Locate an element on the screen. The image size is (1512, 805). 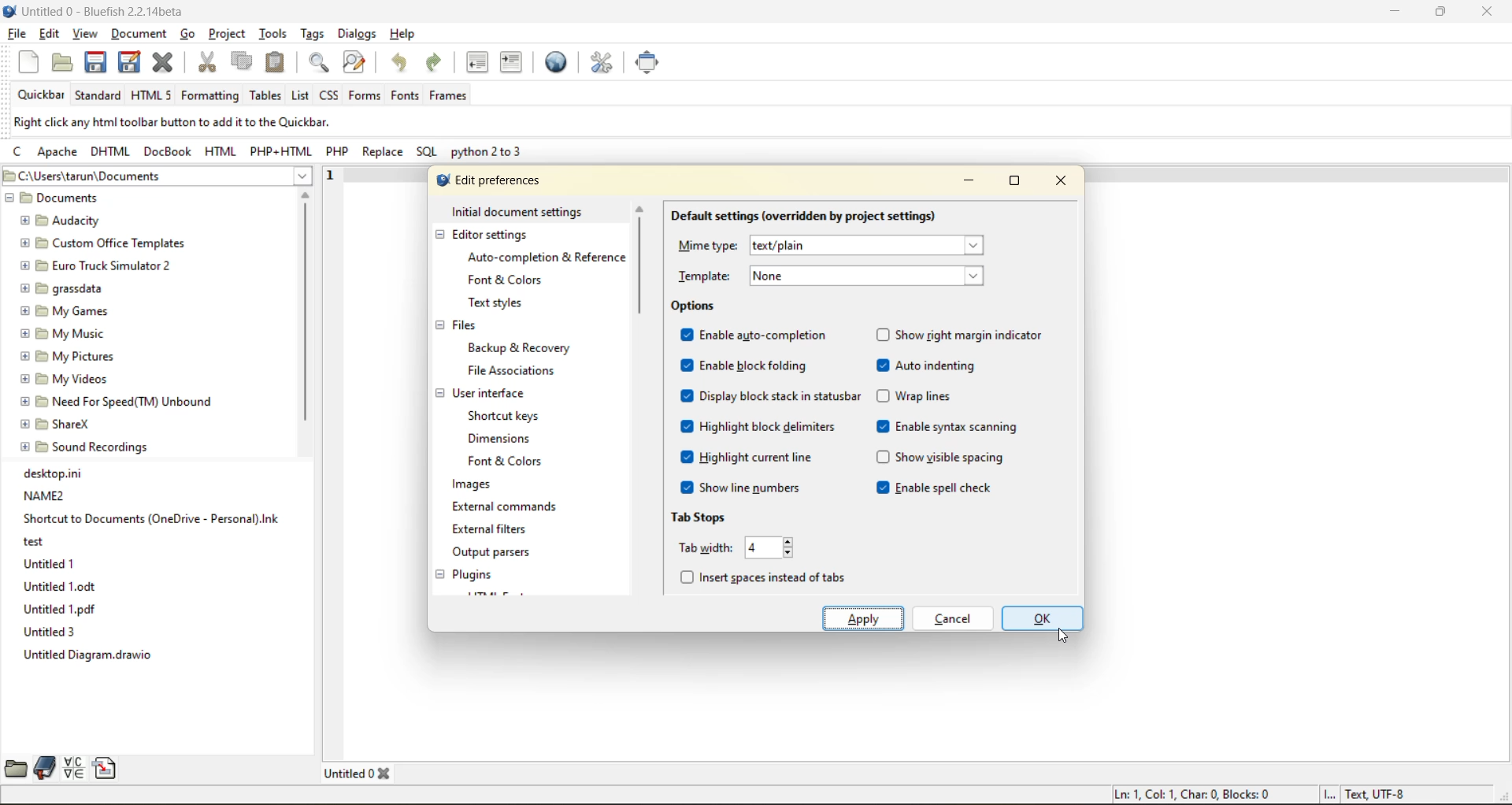
vertical scroll  bar is located at coordinates (642, 266).